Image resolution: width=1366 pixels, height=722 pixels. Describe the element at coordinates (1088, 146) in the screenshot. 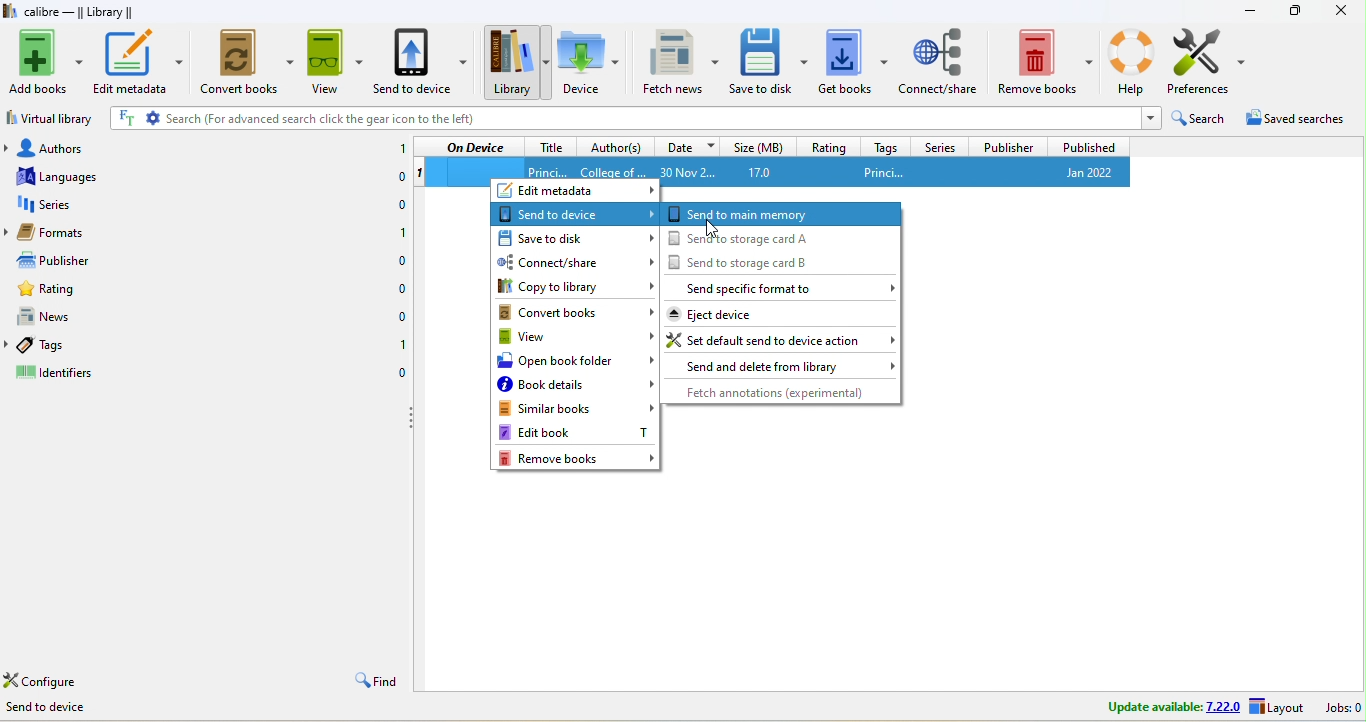

I see `published` at that location.